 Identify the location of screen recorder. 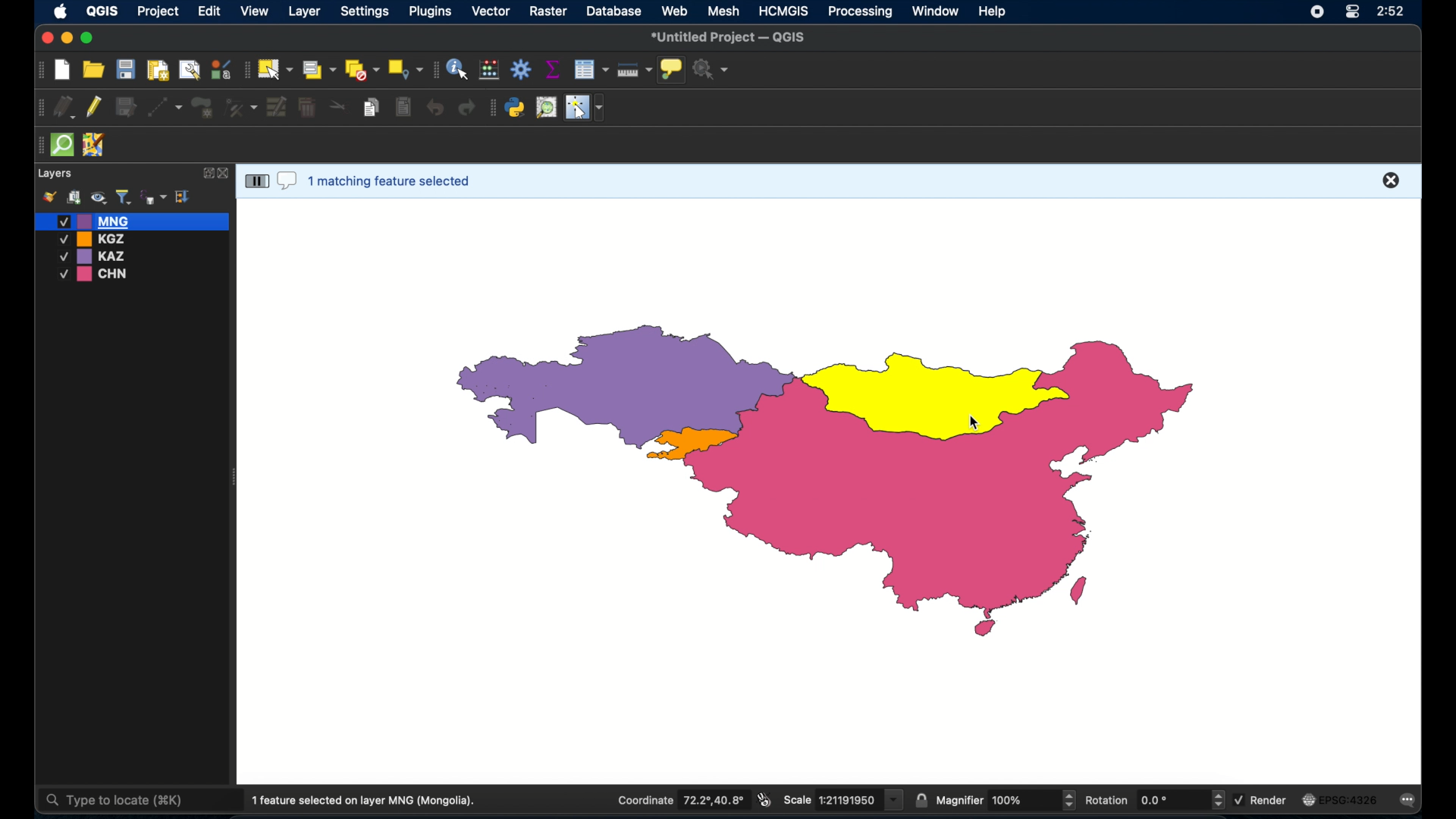
(1316, 11).